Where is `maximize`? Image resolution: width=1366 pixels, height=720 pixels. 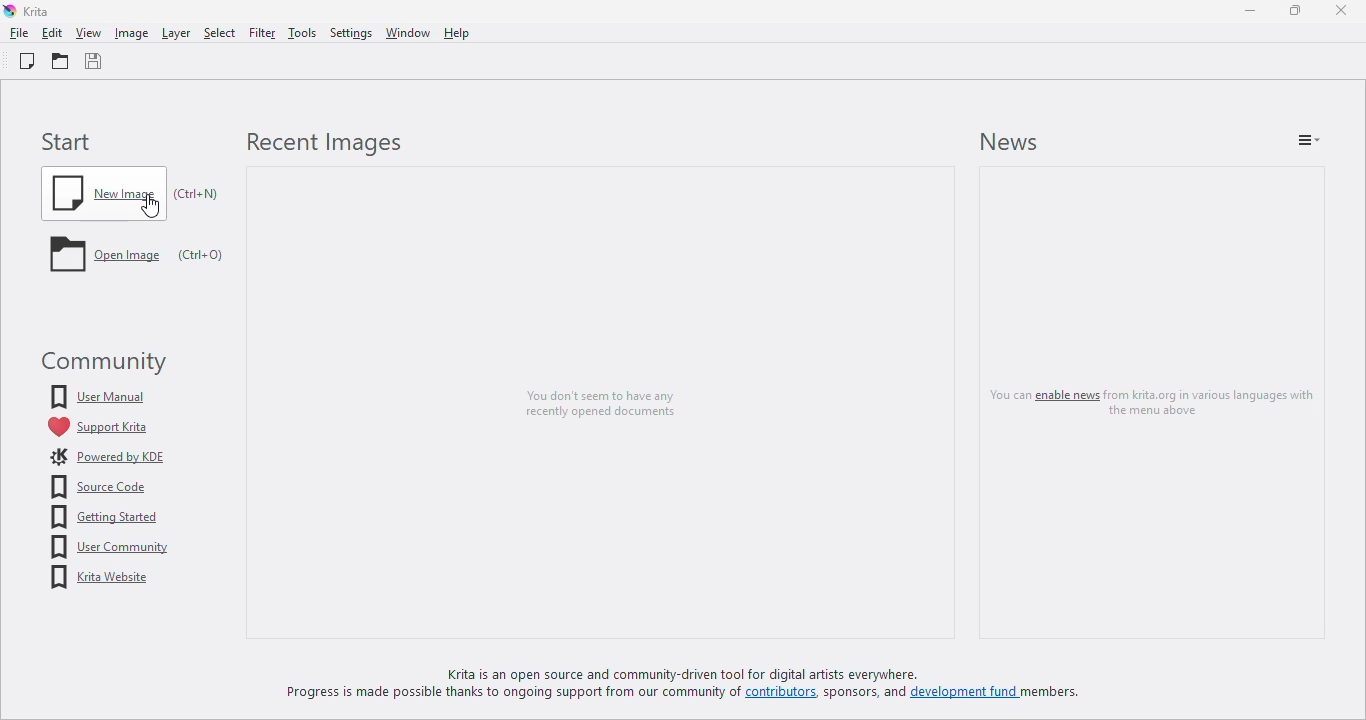
maximize is located at coordinates (1295, 10).